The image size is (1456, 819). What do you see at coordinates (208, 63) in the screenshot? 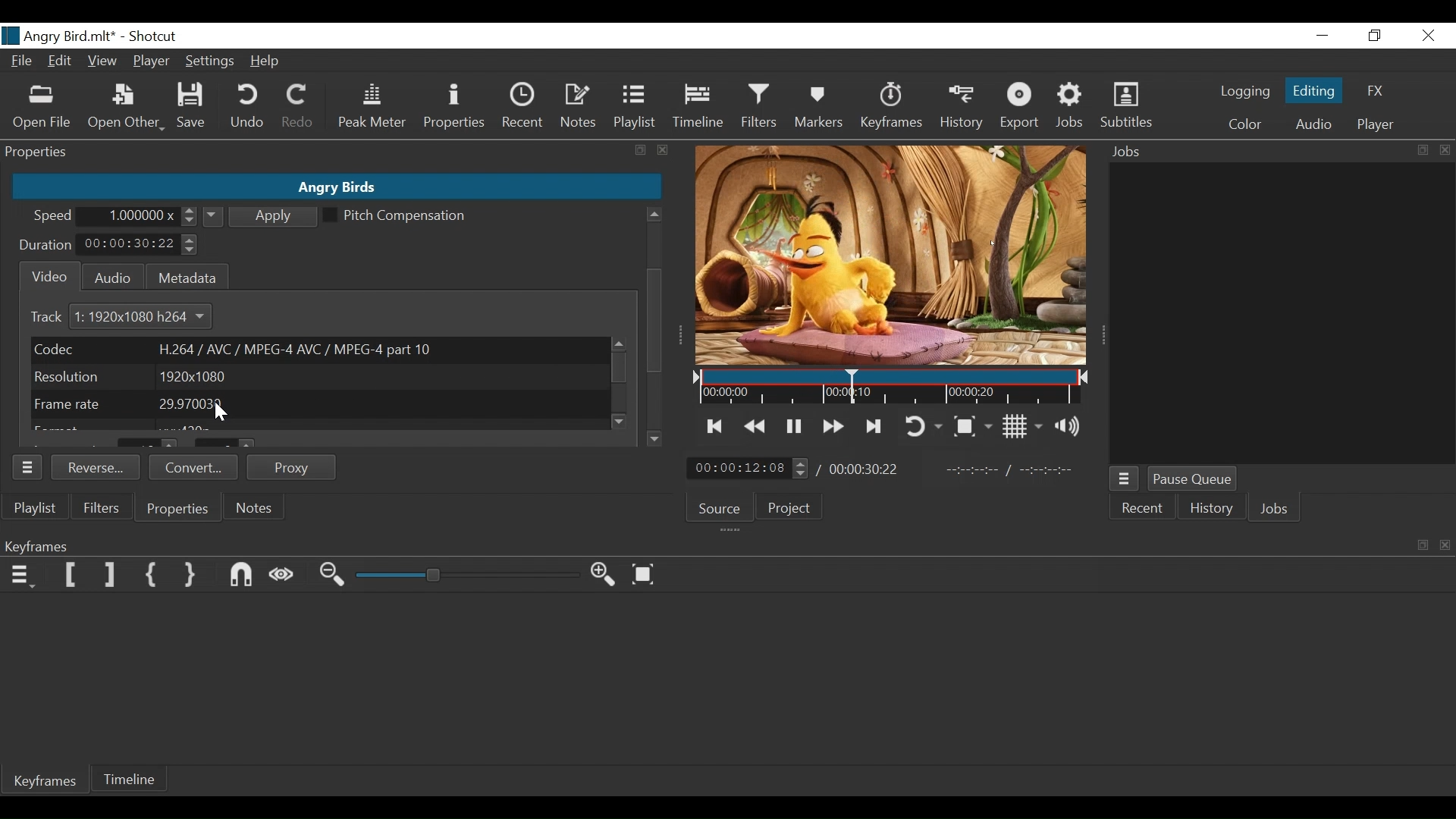
I see `Settings` at bounding box center [208, 63].